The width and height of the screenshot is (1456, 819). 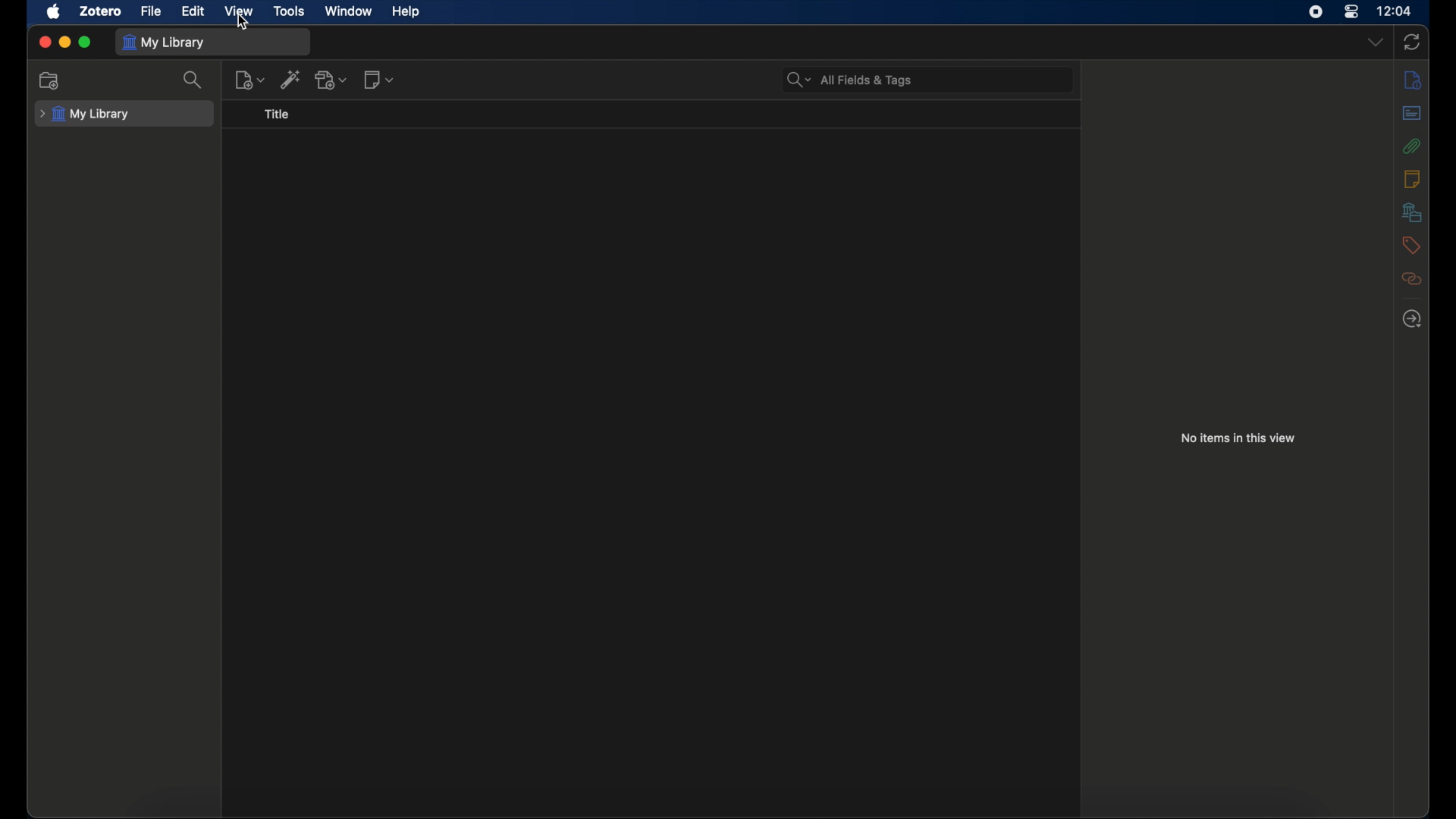 What do you see at coordinates (1238, 438) in the screenshot?
I see `no items in this view` at bounding box center [1238, 438].